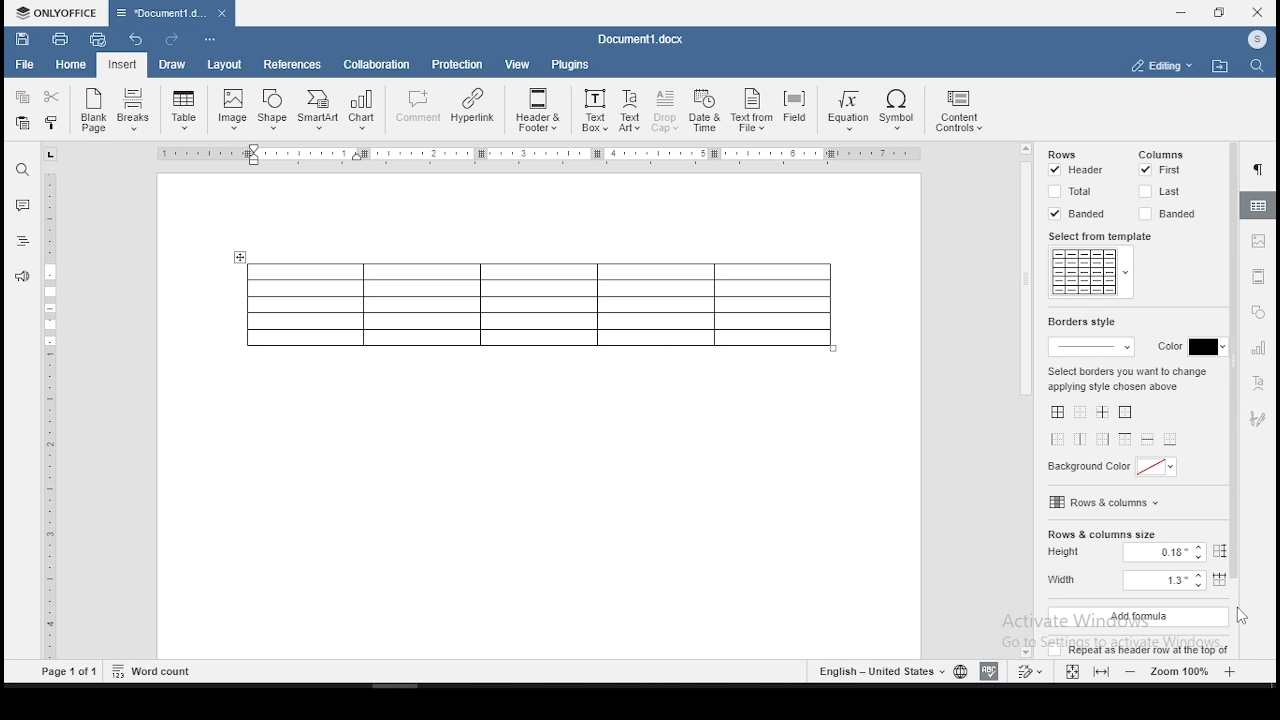 This screenshot has width=1280, height=720. Describe the element at coordinates (135, 112) in the screenshot. I see `Breaks` at that location.